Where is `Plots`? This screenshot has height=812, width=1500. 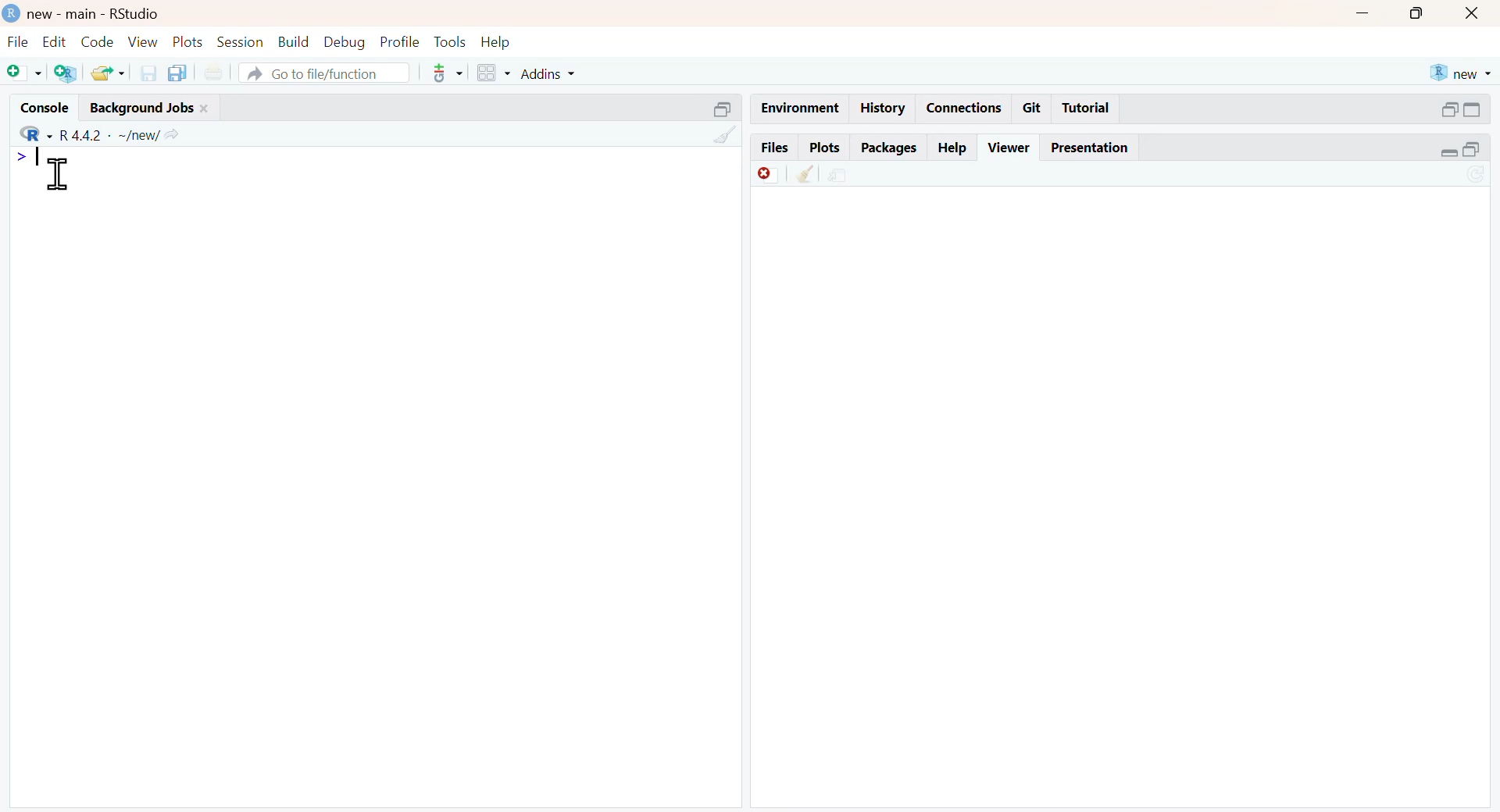 Plots is located at coordinates (825, 148).